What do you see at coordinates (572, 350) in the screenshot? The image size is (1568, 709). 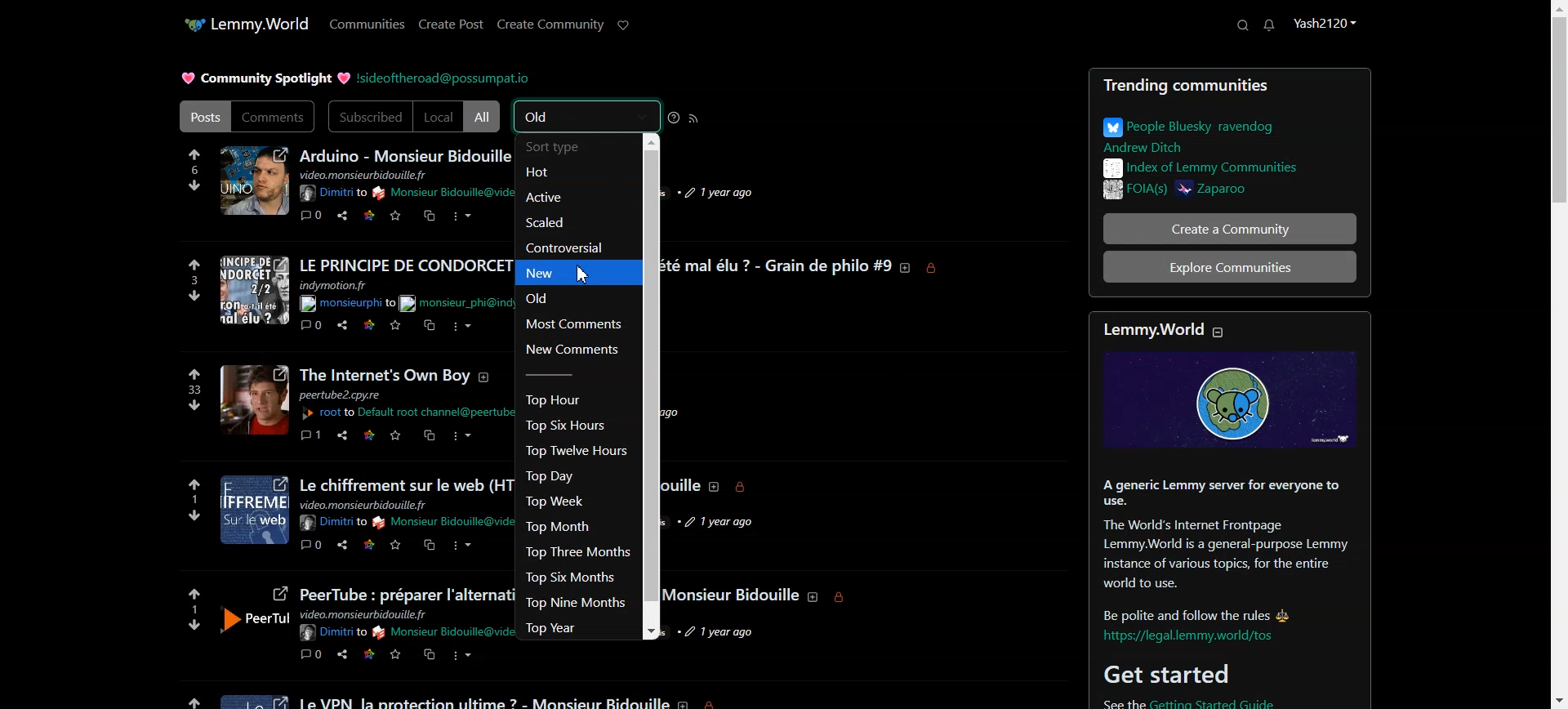 I see `New Comments` at bounding box center [572, 350].